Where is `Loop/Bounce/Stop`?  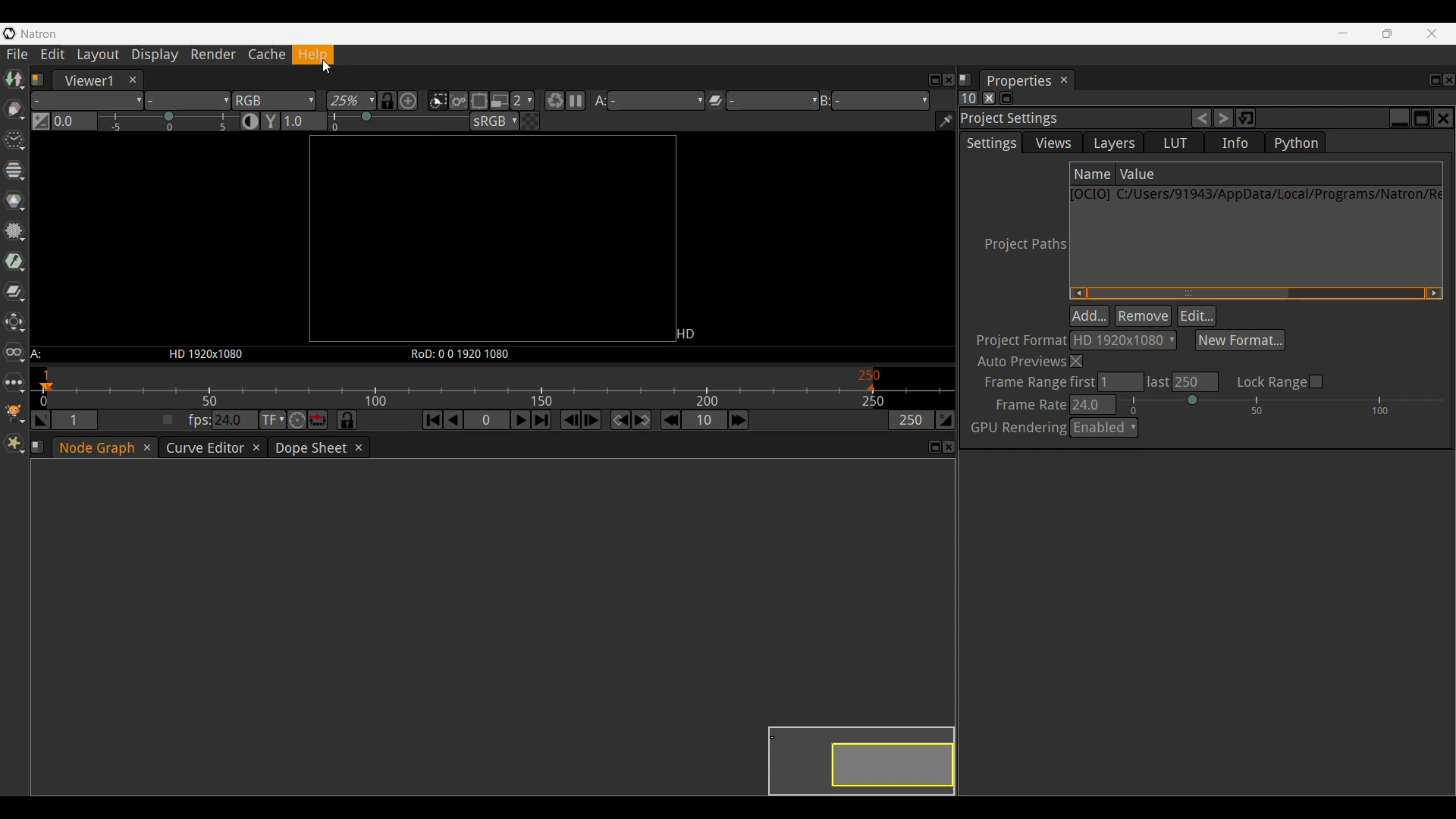
Loop/Bounce/Stop is located at coordinates (318, 419).